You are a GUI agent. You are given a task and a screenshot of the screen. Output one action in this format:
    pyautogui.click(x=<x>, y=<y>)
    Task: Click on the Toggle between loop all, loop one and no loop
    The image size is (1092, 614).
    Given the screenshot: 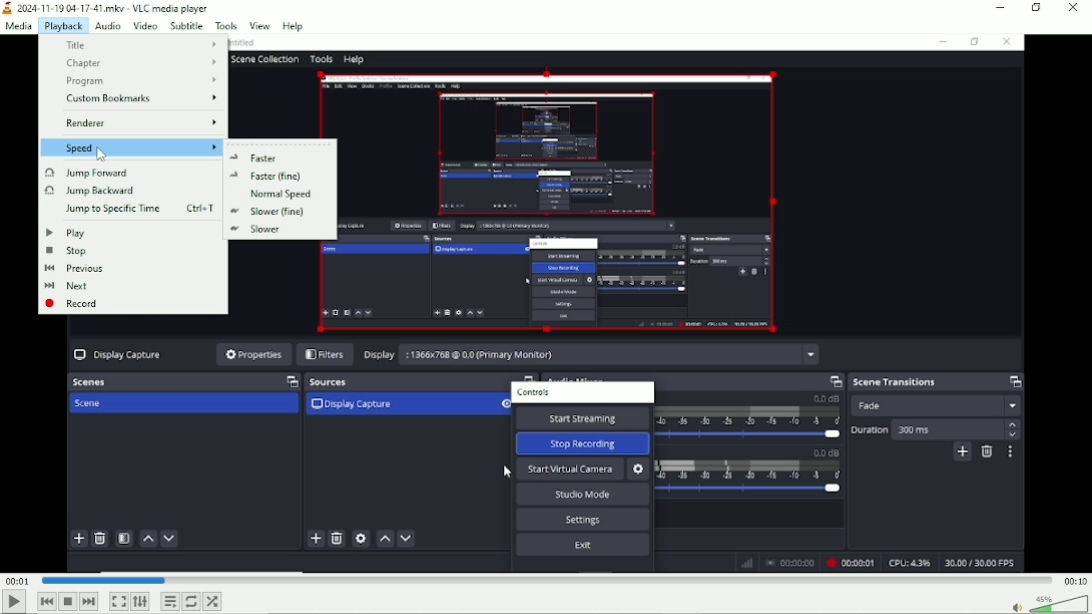 What is the action you would take?
    pyautogui.click(x=191, y=602)
    